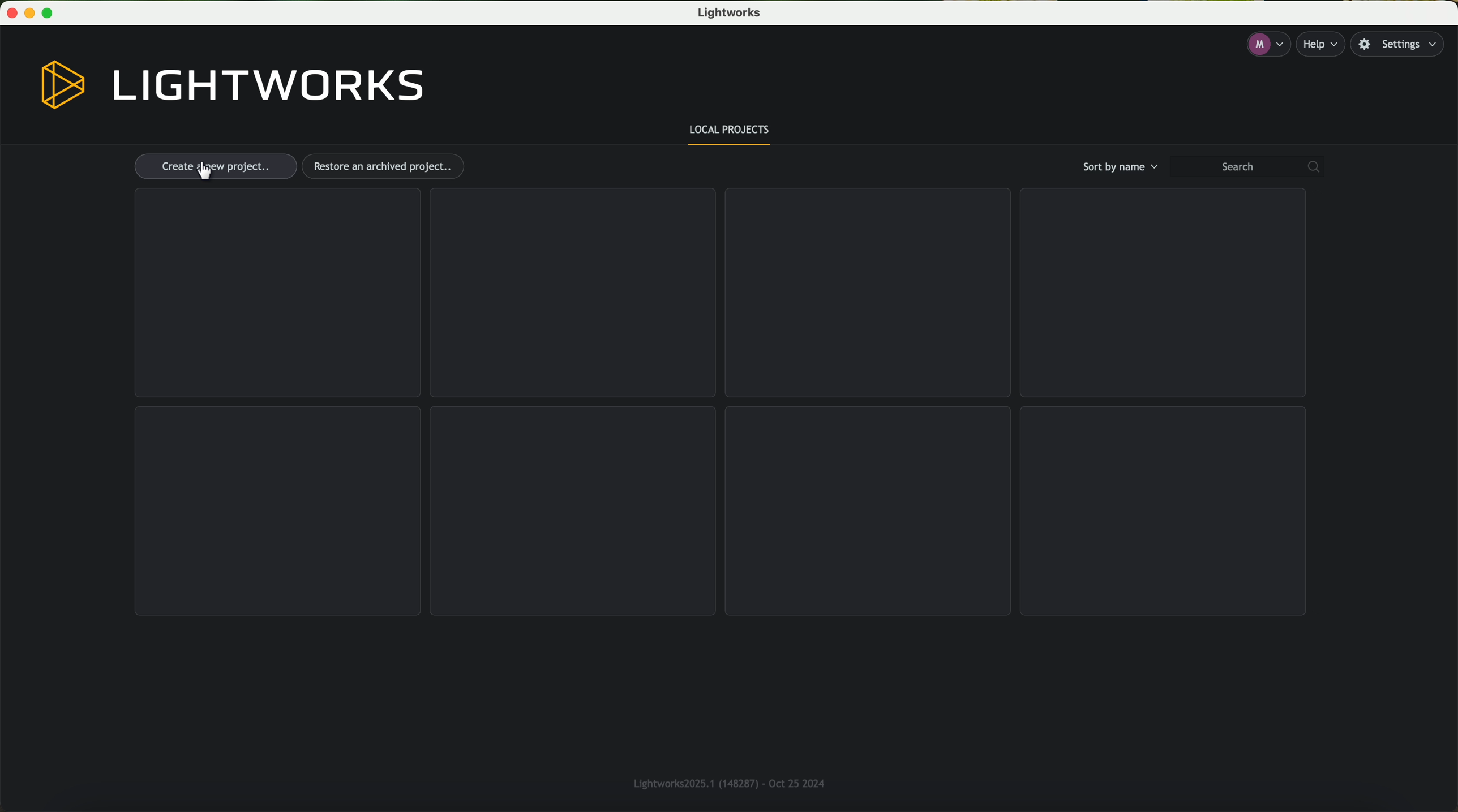  I want to click on sort by name, so click(1118, 166).